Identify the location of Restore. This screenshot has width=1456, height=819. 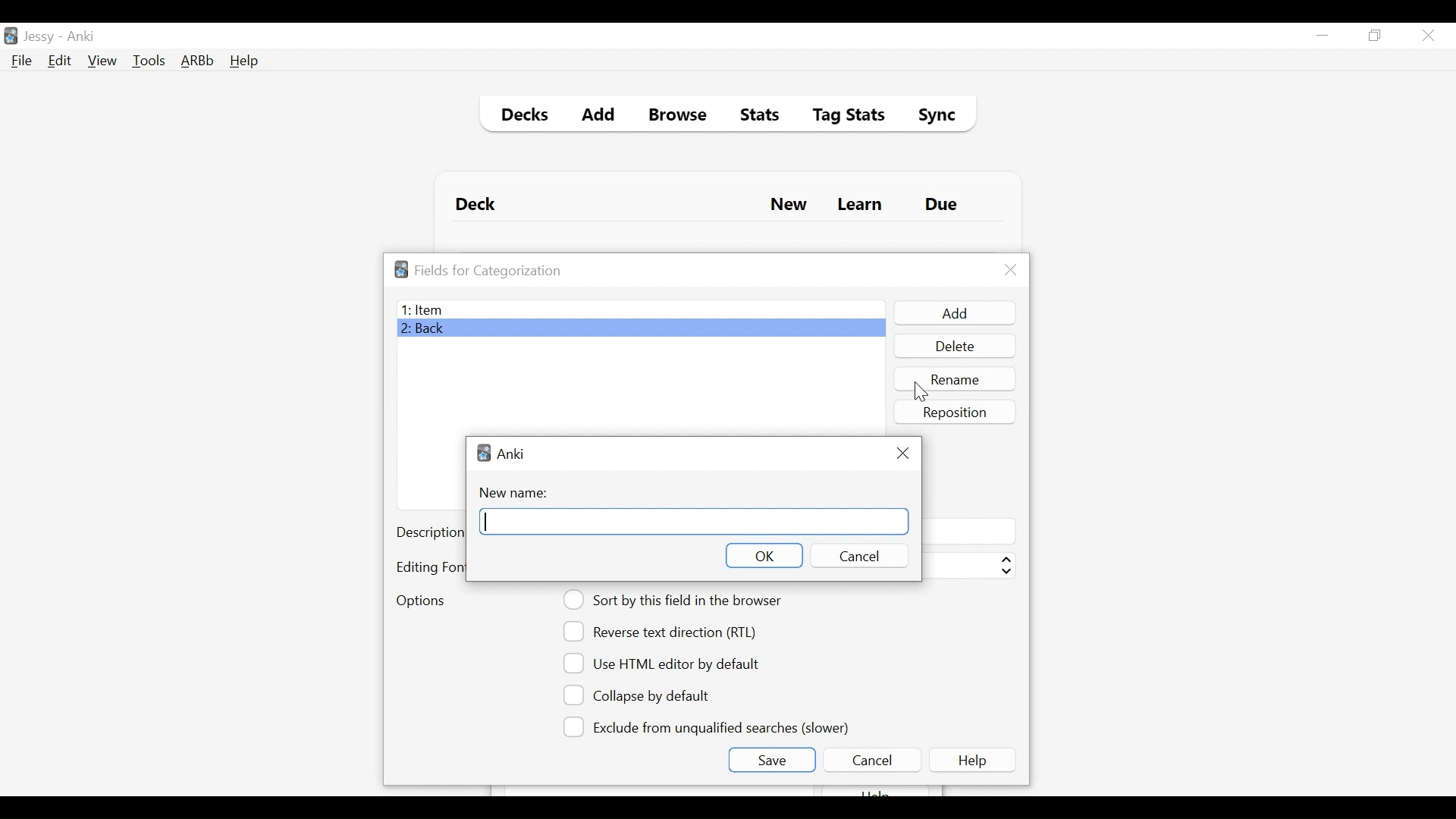
(1376, 36).